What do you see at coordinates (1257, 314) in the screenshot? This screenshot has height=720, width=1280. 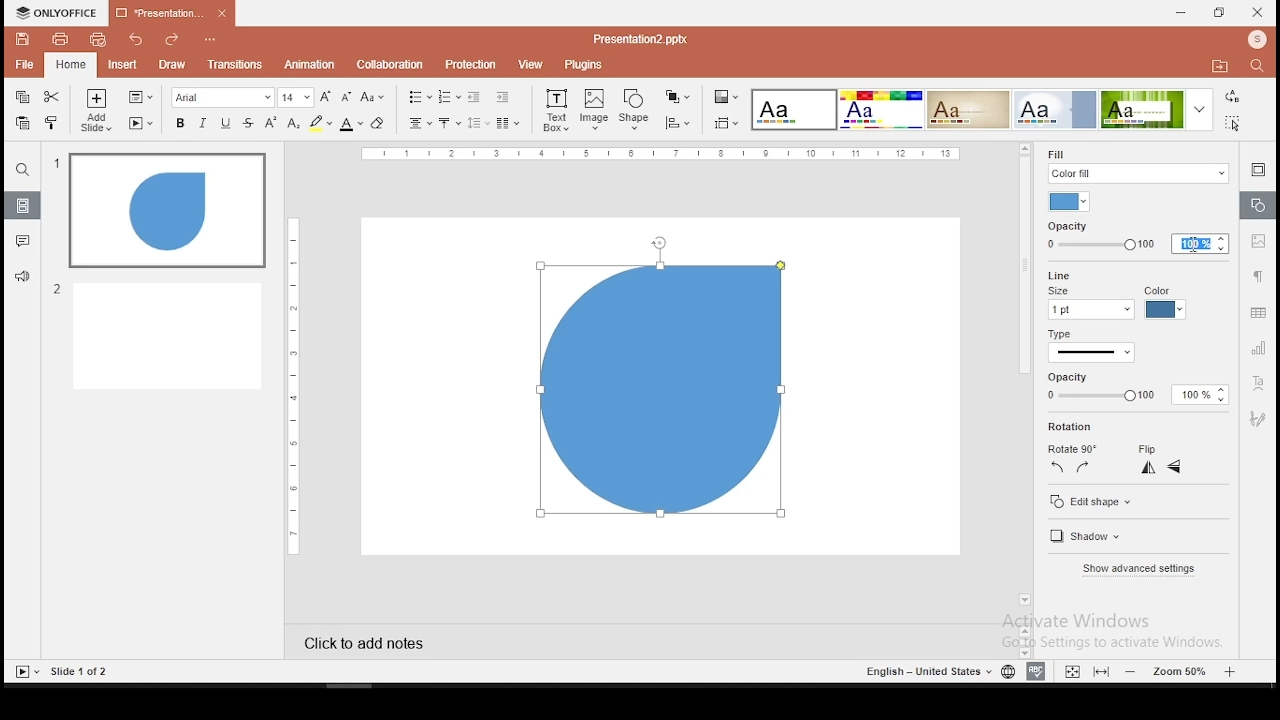 I see `table settings` at bounding box center [1257, 314].